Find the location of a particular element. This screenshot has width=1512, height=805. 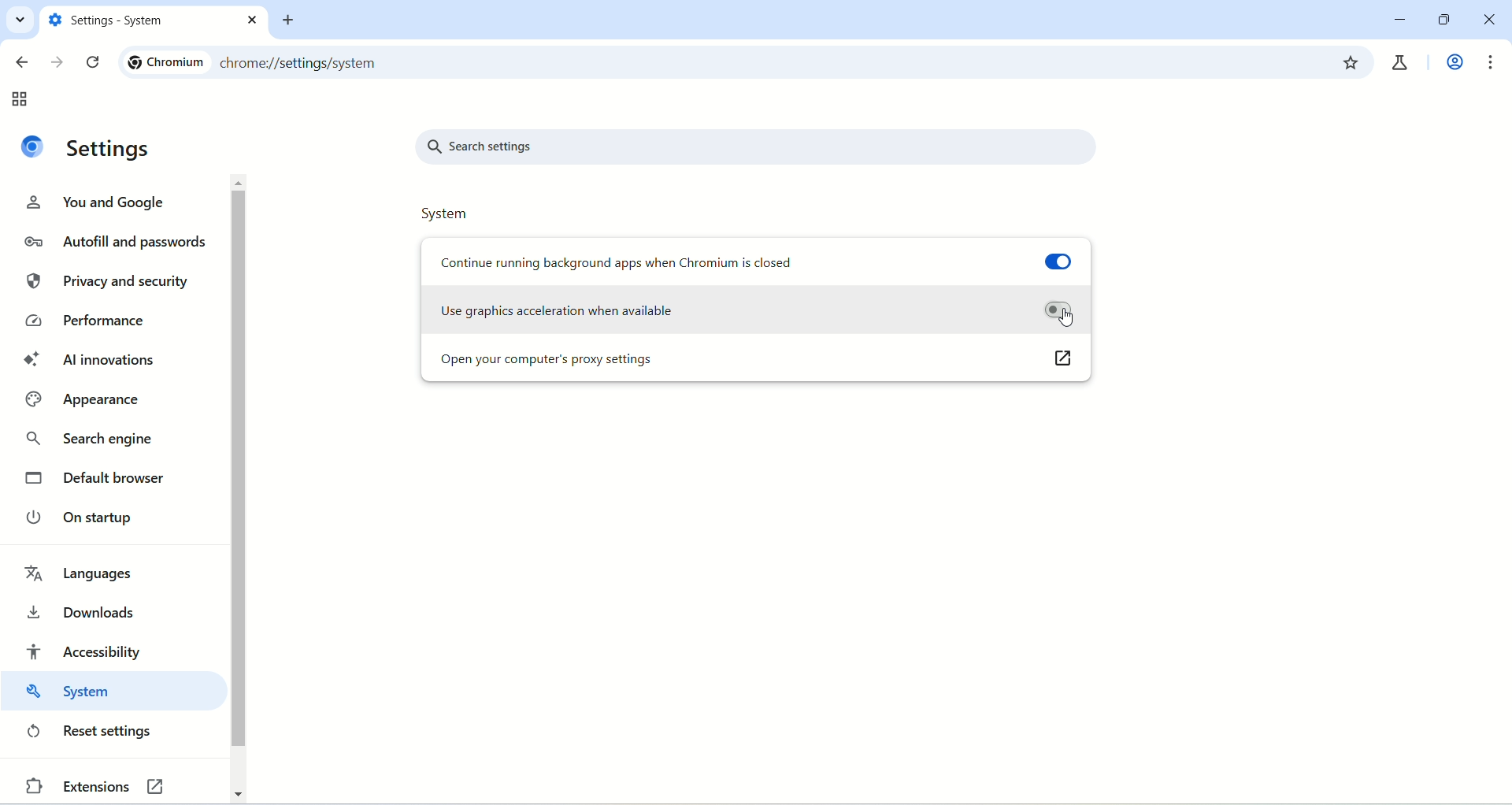

customize and control chromium is located at coordinates (1492, 63).